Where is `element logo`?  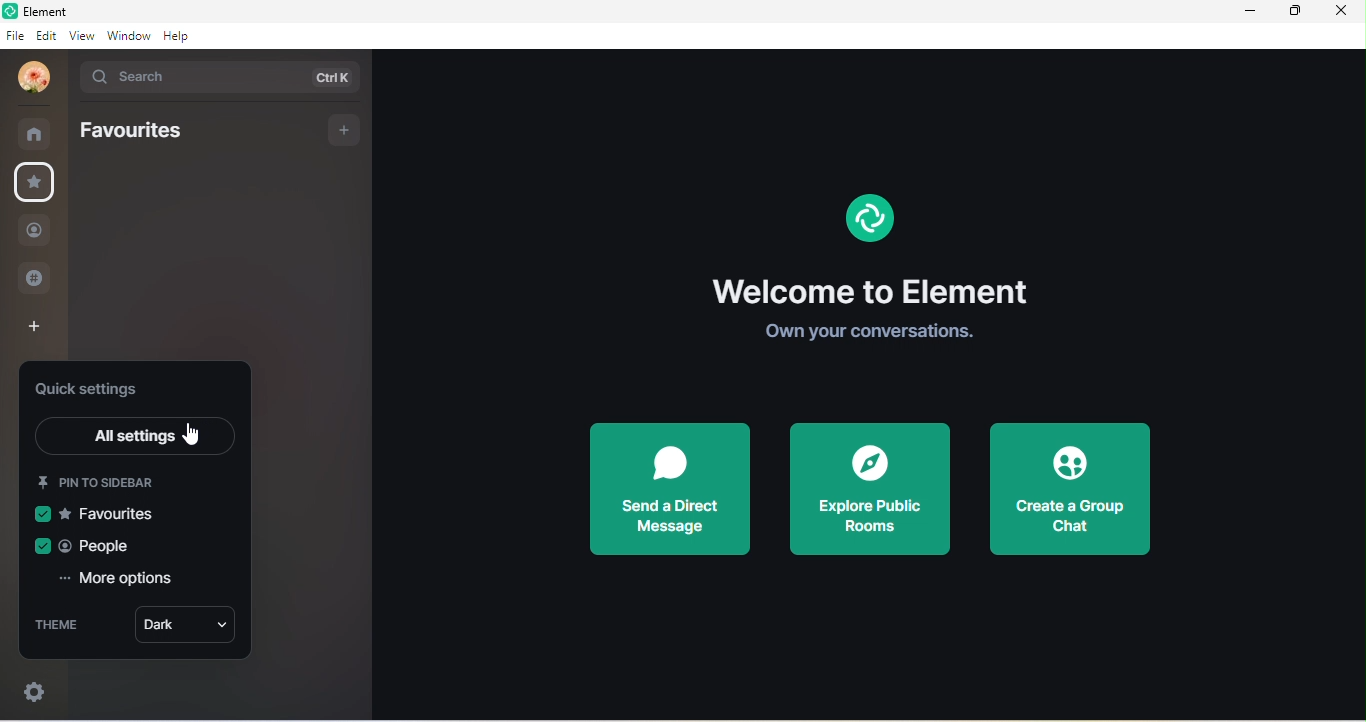 element logo is located at coordinates (868, 220).